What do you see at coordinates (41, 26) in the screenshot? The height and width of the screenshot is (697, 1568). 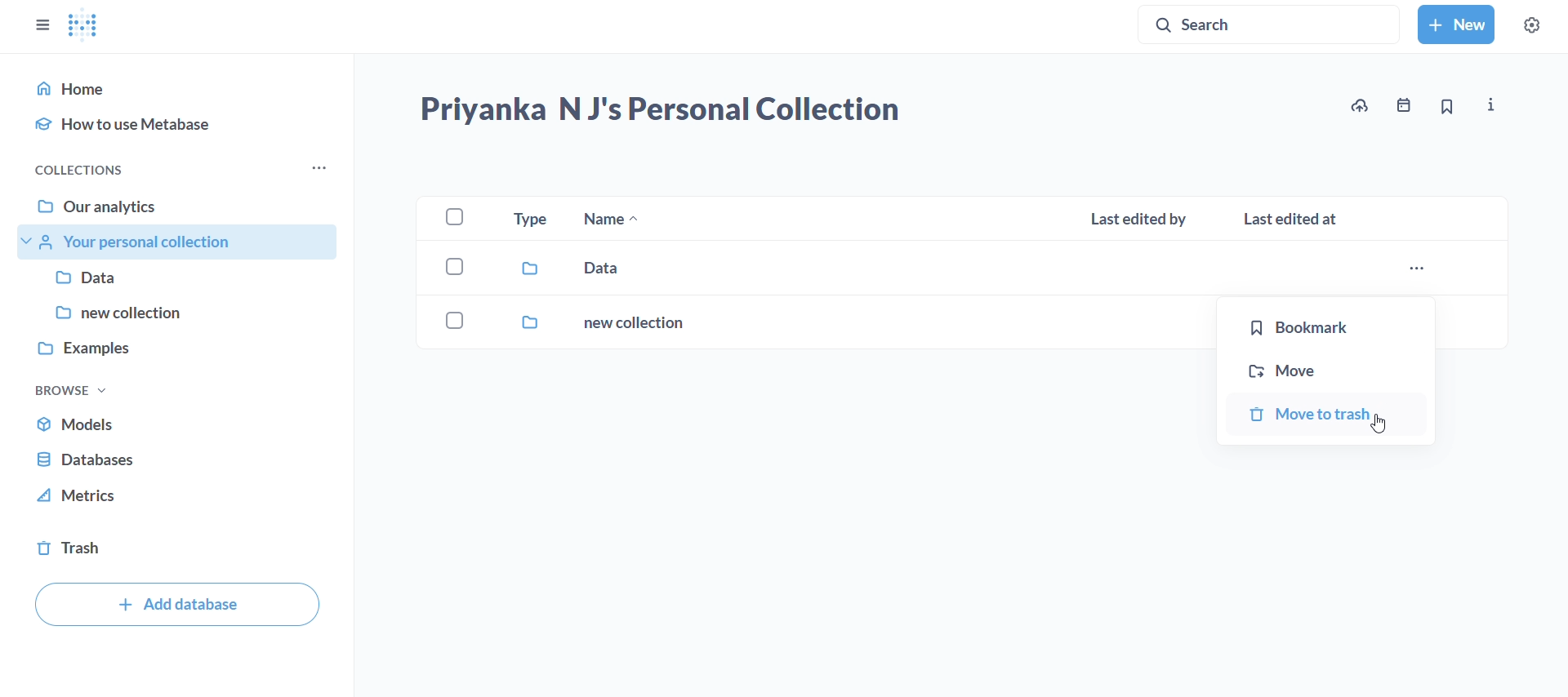 I see `close sidebars` at bounding box center [41, 26].